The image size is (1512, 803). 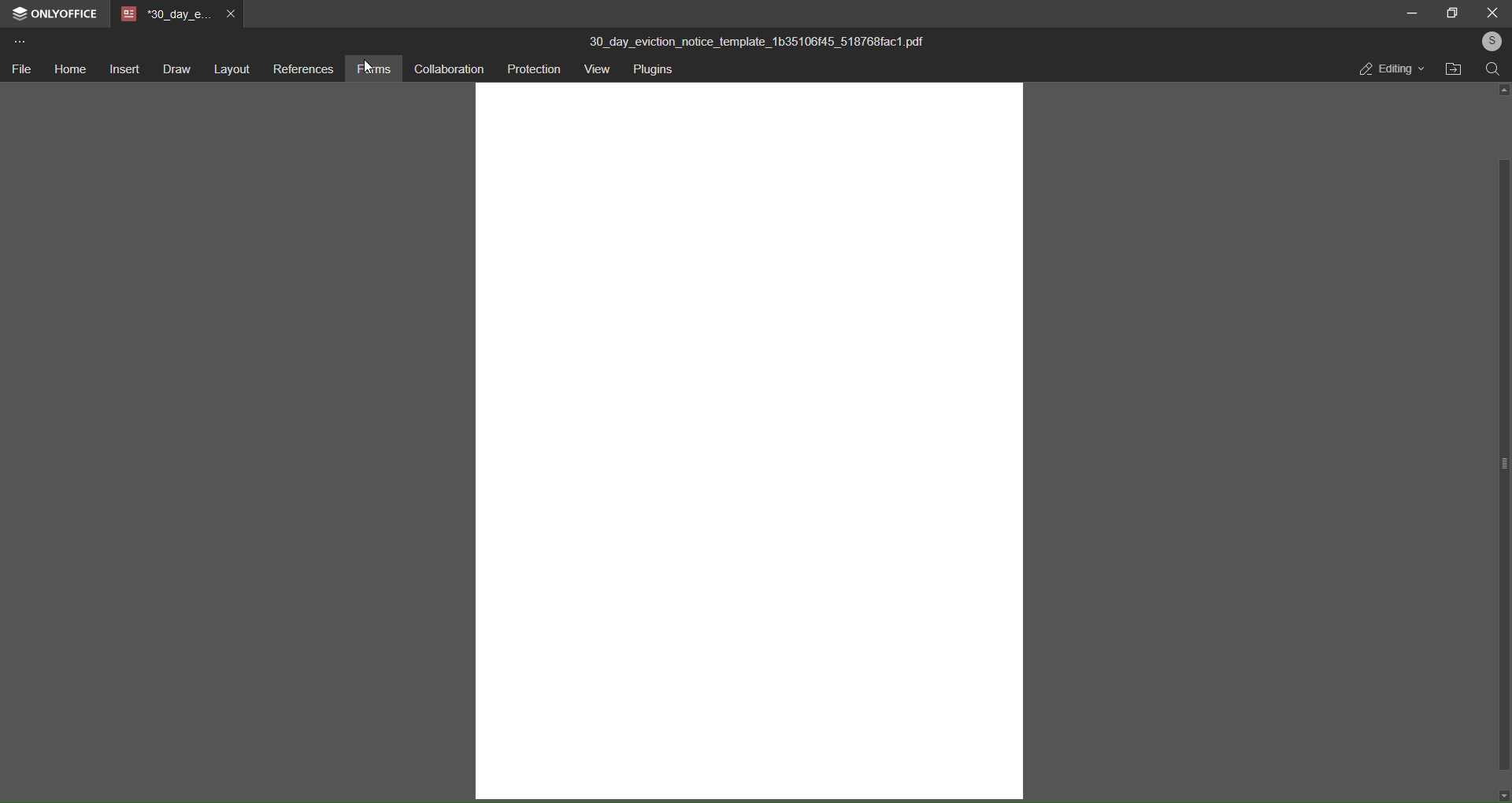 What do you see at coordinates (120, 68) in the screenshot?
I see `insert` at bounding box center [120, 68].